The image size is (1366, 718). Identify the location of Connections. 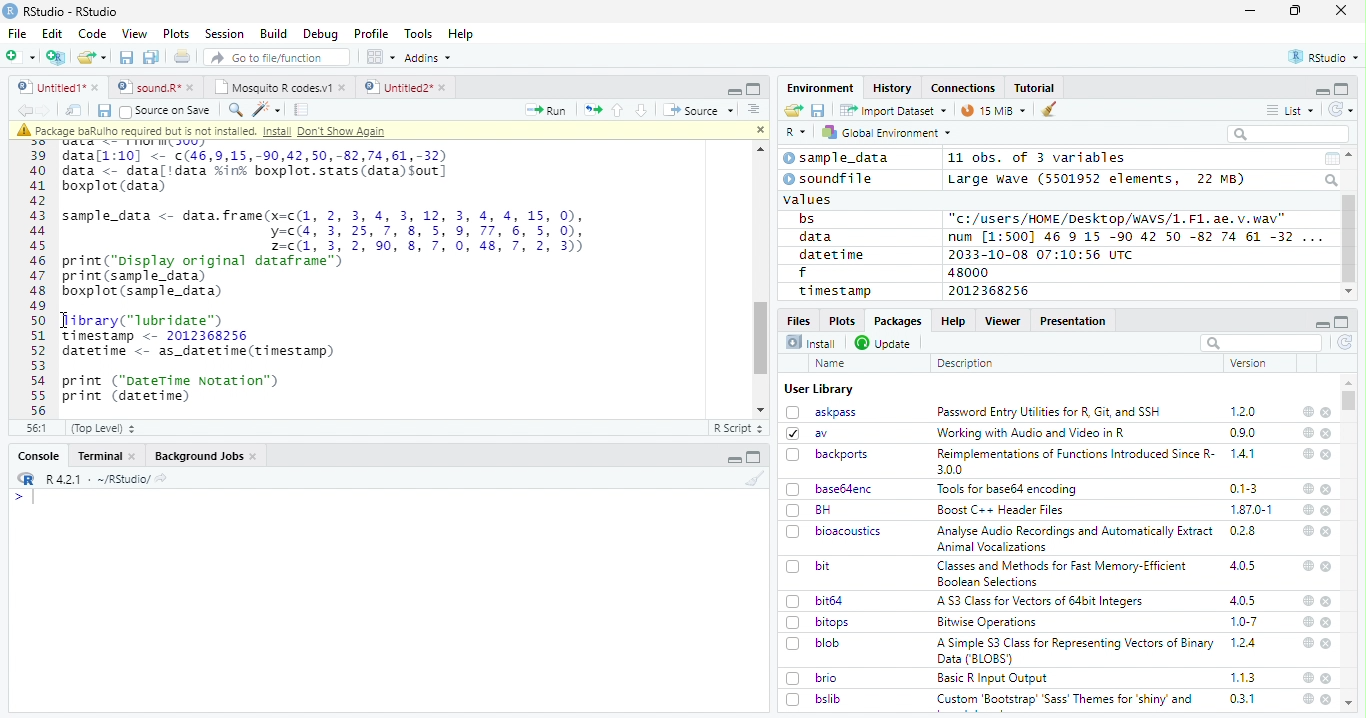
(962, 88).